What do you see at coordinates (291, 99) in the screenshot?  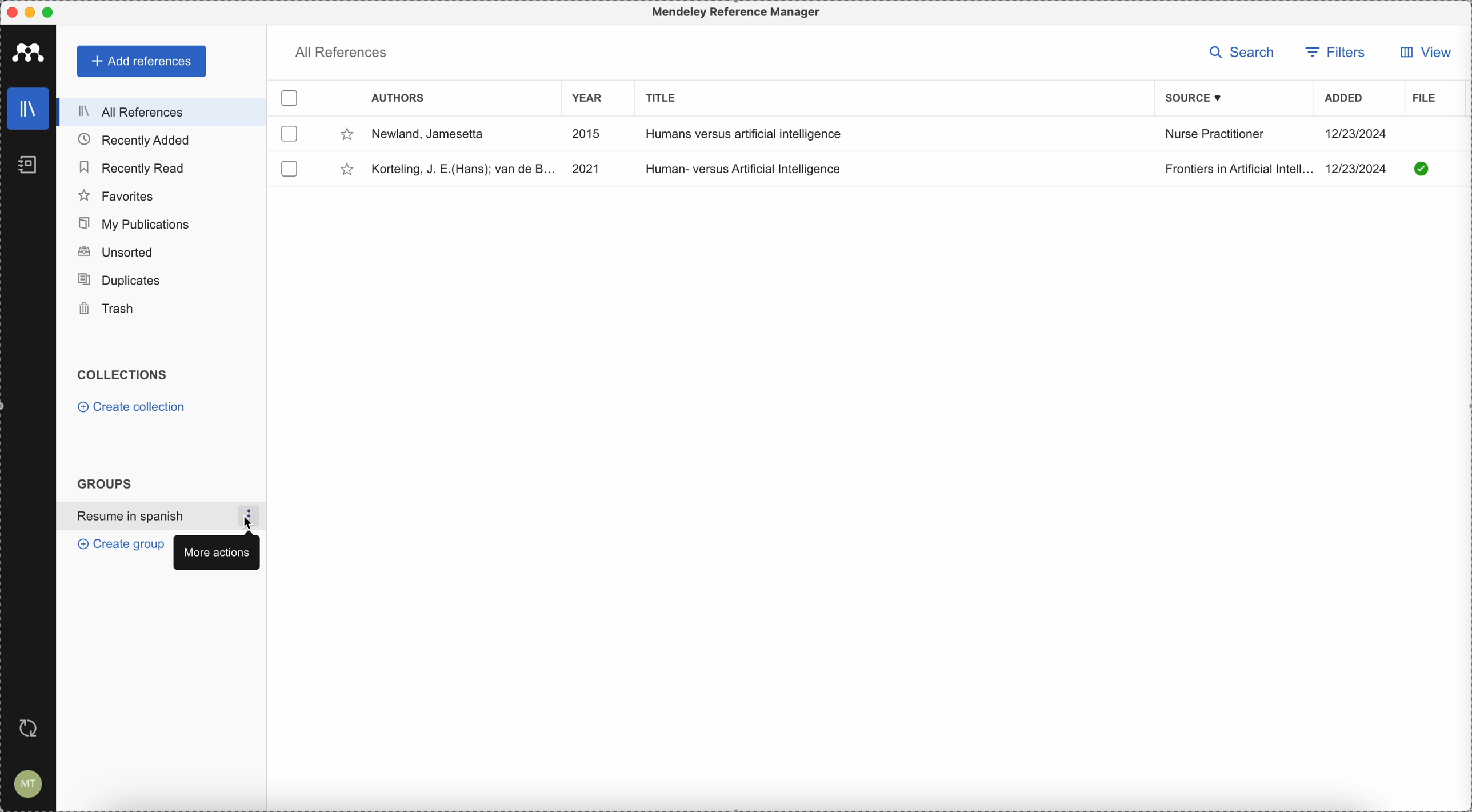 I see `check box` at bounding box center [291, 99].